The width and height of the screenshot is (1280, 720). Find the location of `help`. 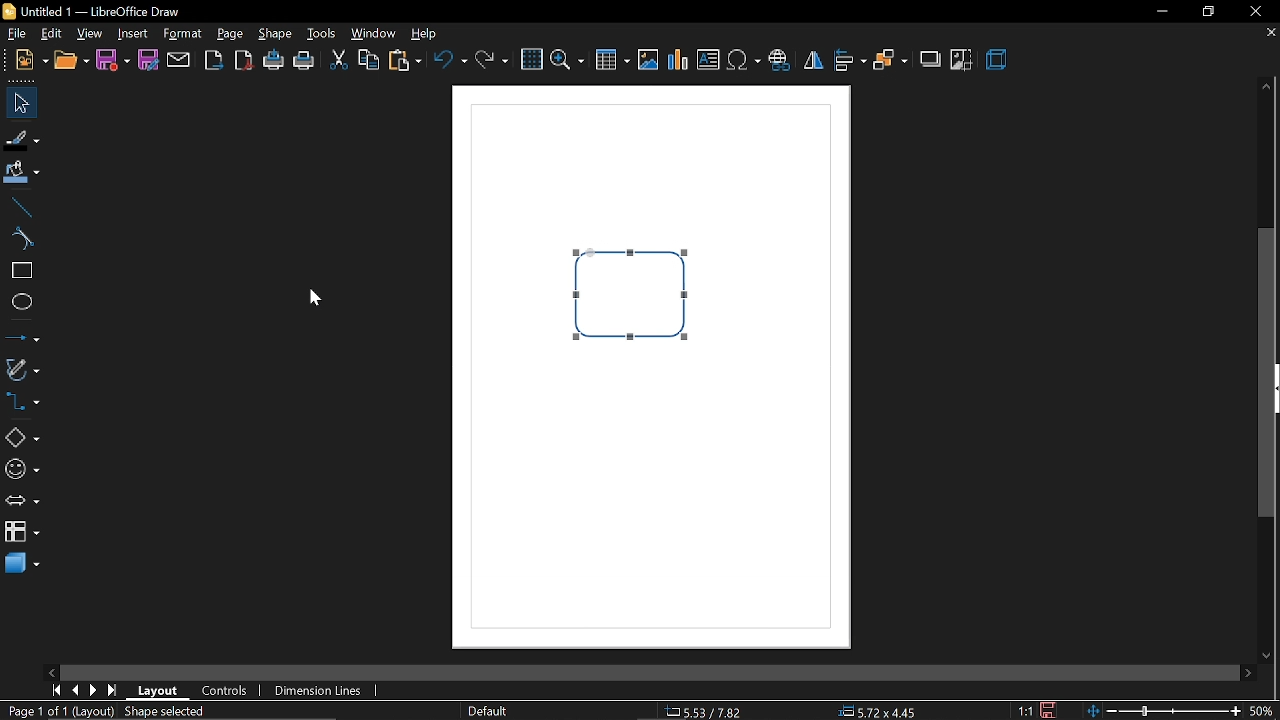

help is located at coordinates (429, 34).